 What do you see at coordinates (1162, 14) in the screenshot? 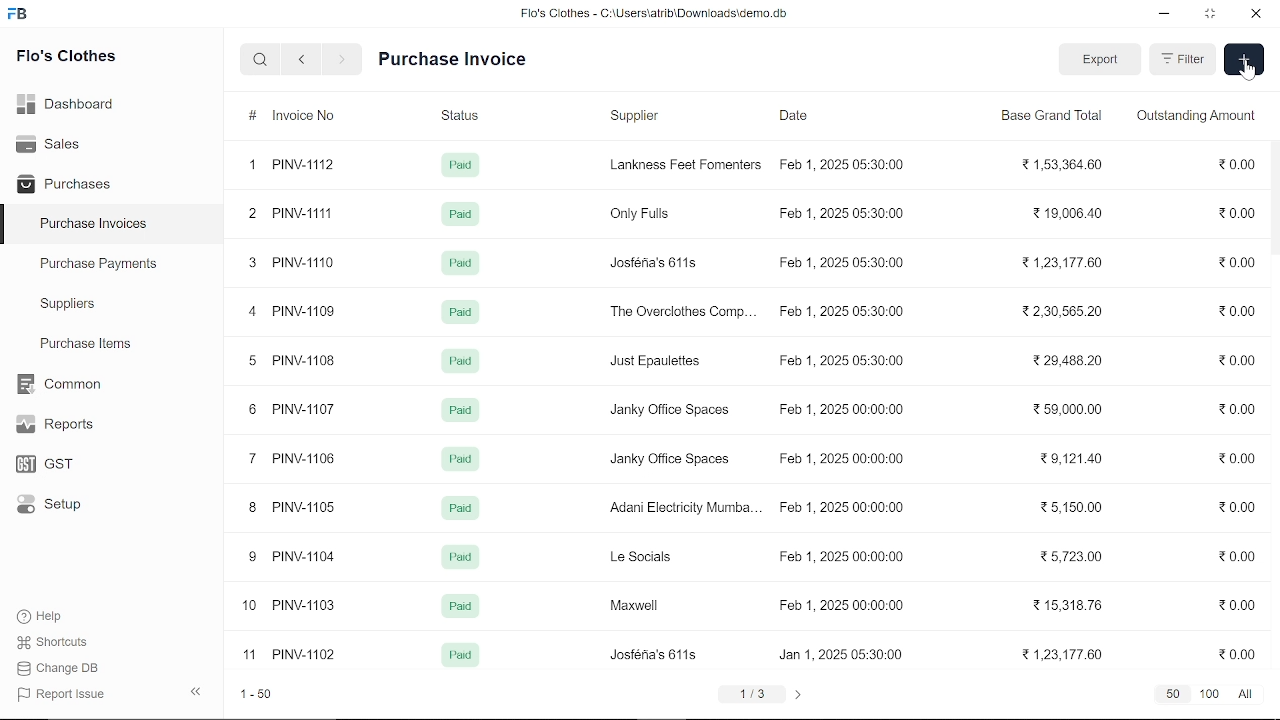
I see `minimize` at bounding box center [1162, 14].